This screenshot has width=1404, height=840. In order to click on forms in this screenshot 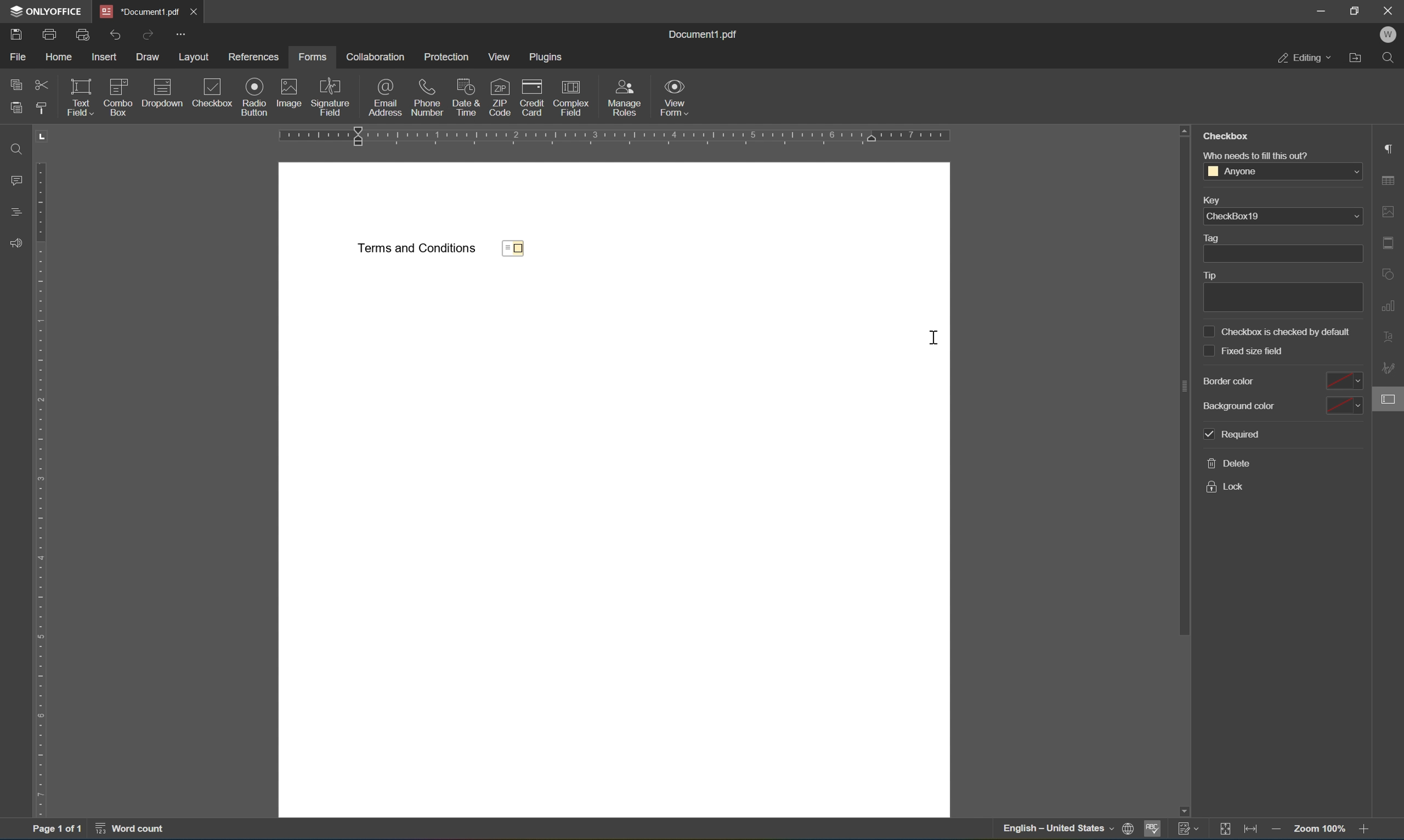, I will do `click(314, 57)`.